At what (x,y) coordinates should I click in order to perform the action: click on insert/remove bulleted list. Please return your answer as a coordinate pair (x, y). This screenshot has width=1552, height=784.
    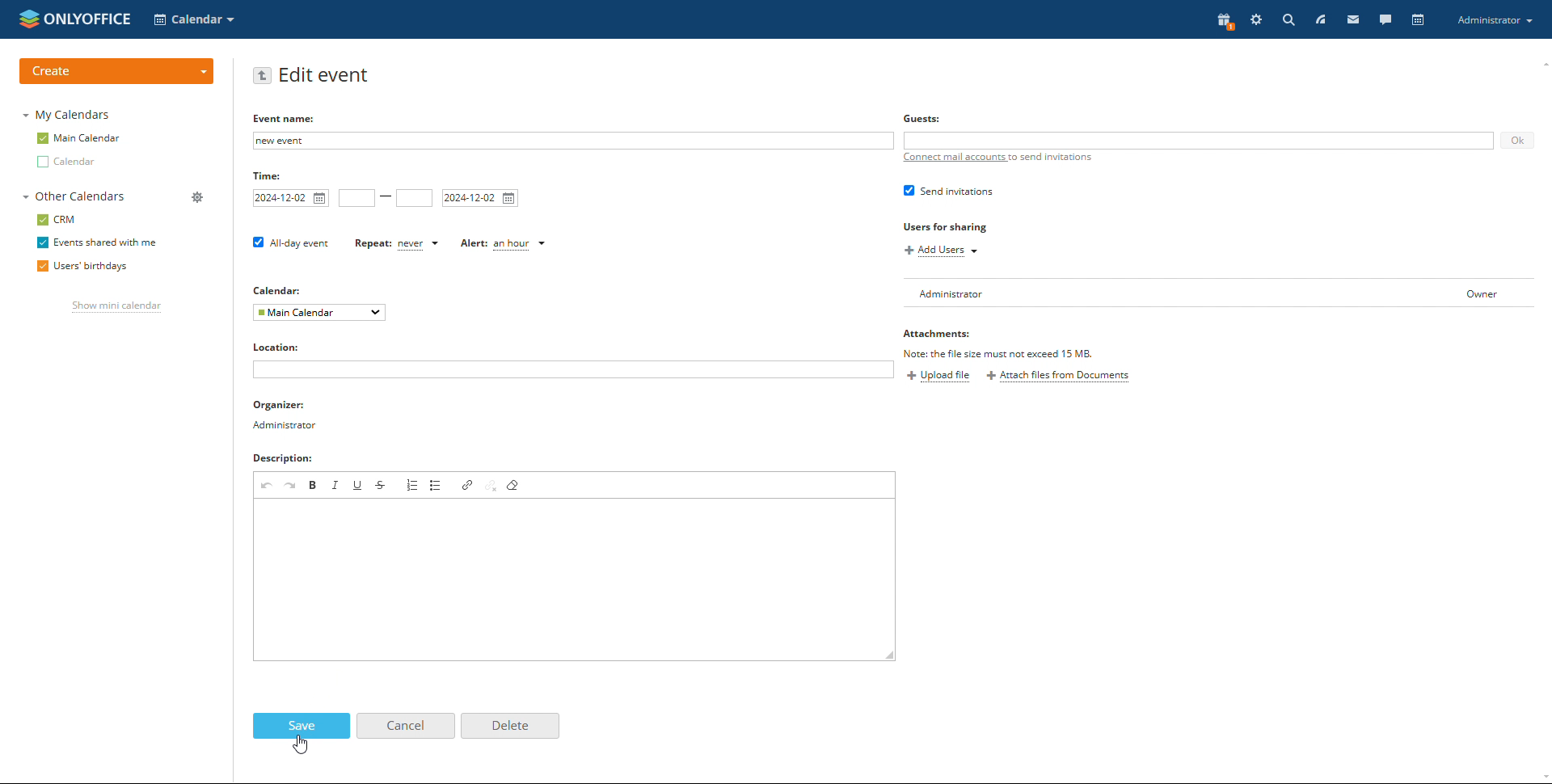
    Looking at the image, I should click on (436, 484).